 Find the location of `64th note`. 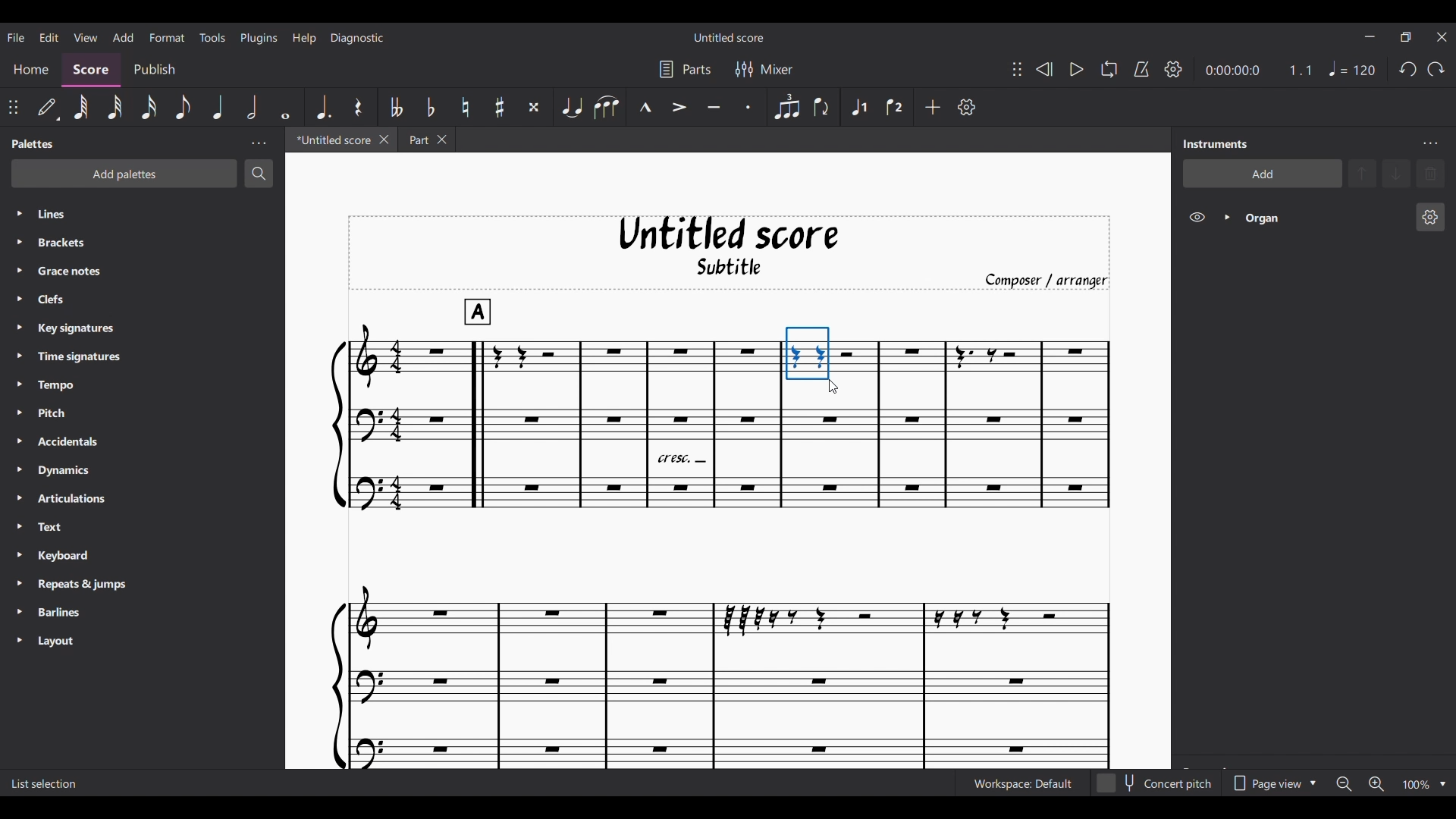

64th note is located at coordinates (80, 108).